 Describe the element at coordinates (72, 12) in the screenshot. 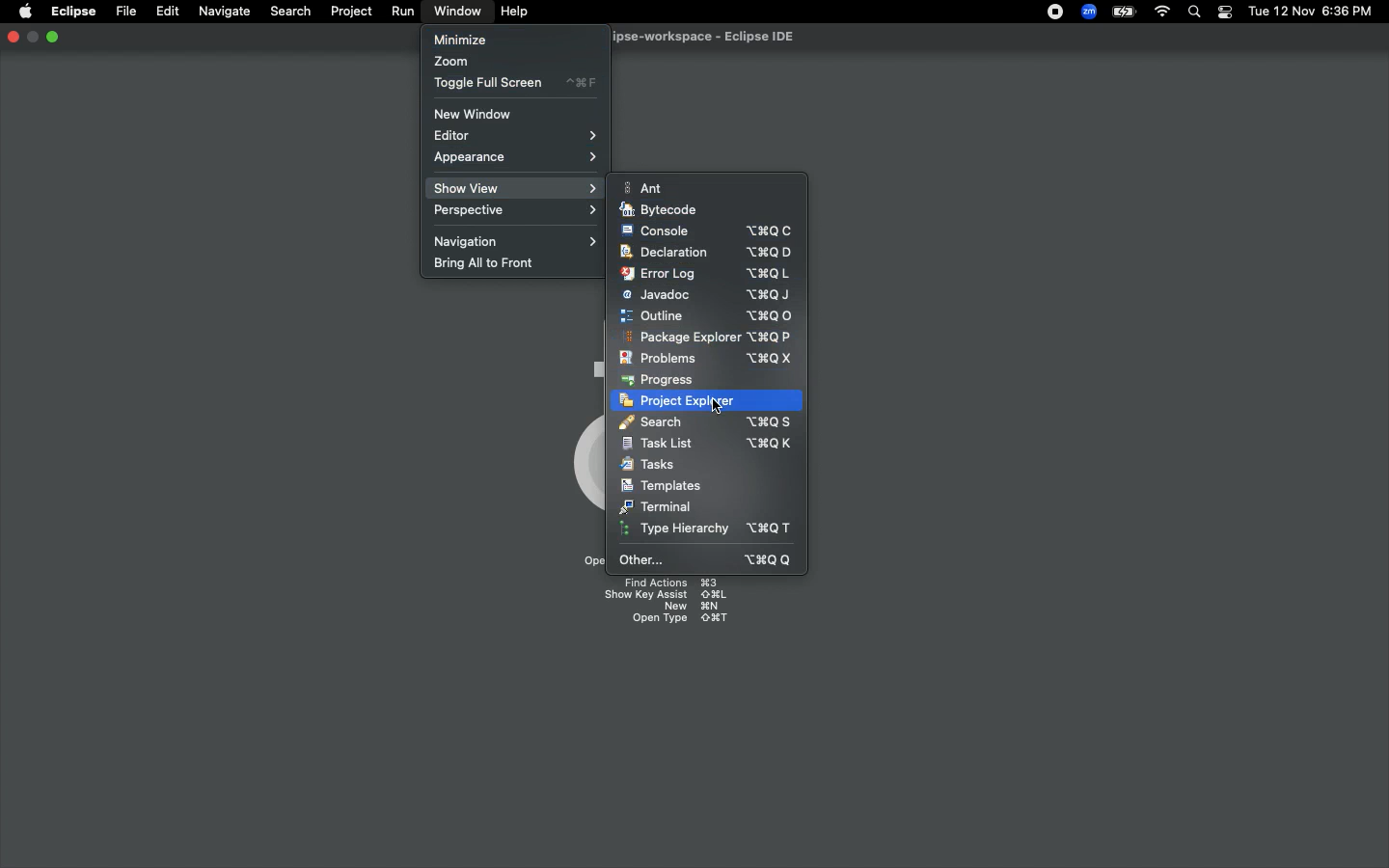

I see `Eclipse` at that location.